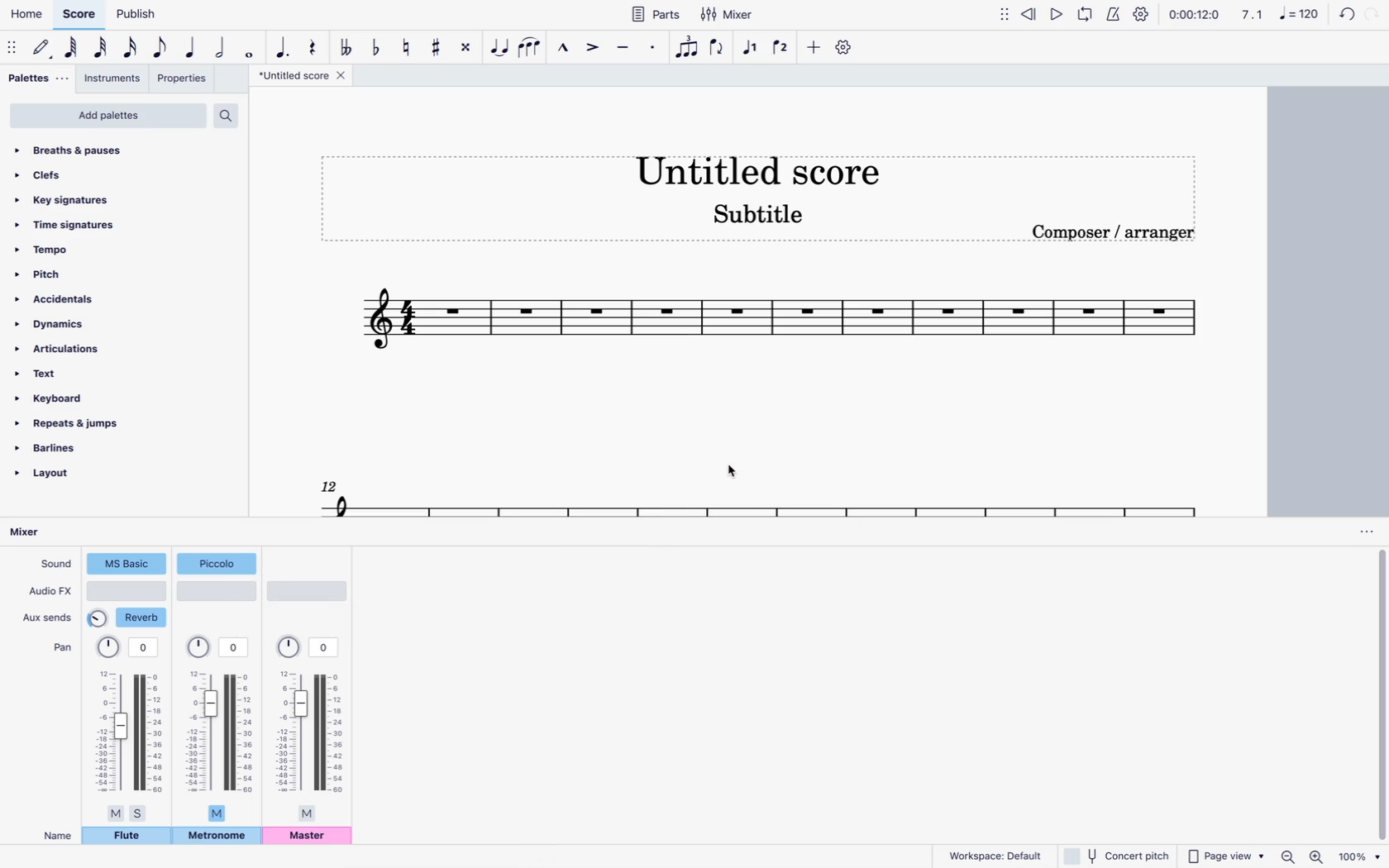  What do you see at coordinates (1360, 856) in the screenshot?
I see `zoom percentage` at bounding box center [1360, 856].